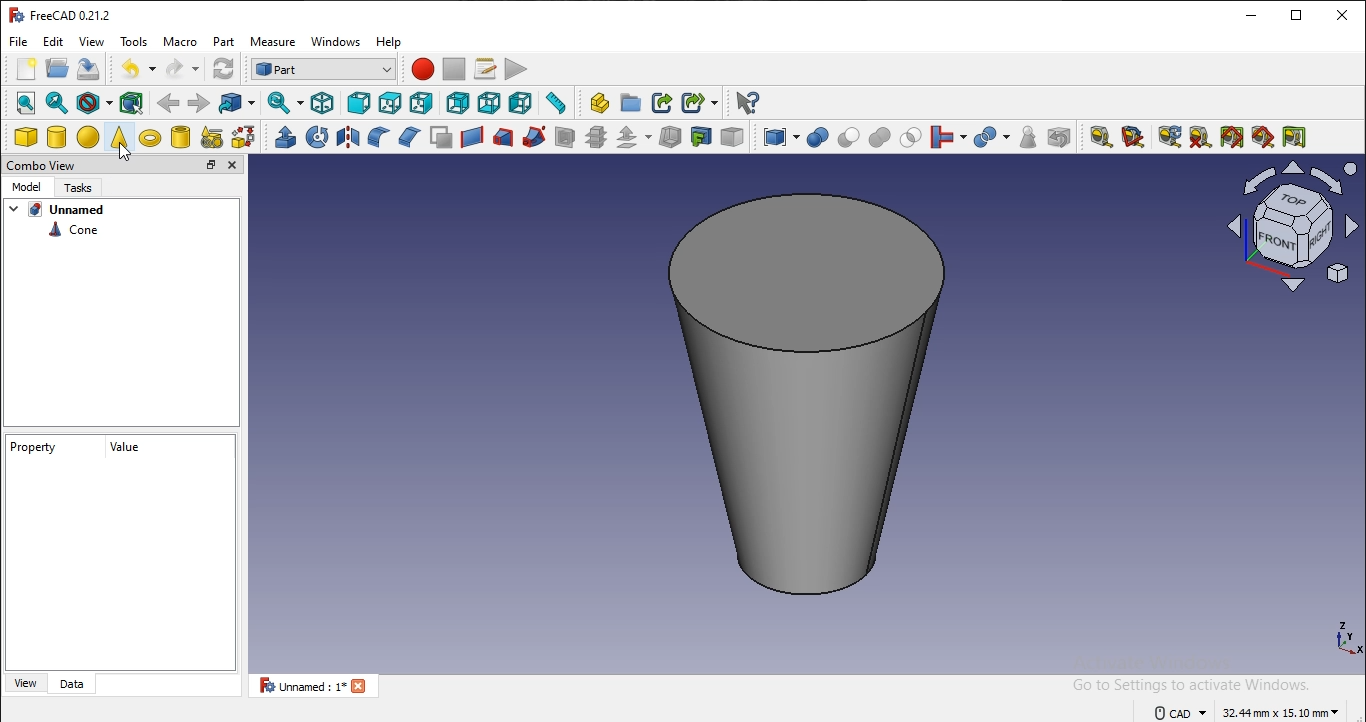 The width and height of the screenshot is (1366, 722). I want to click on fillet, so click(375, 138).